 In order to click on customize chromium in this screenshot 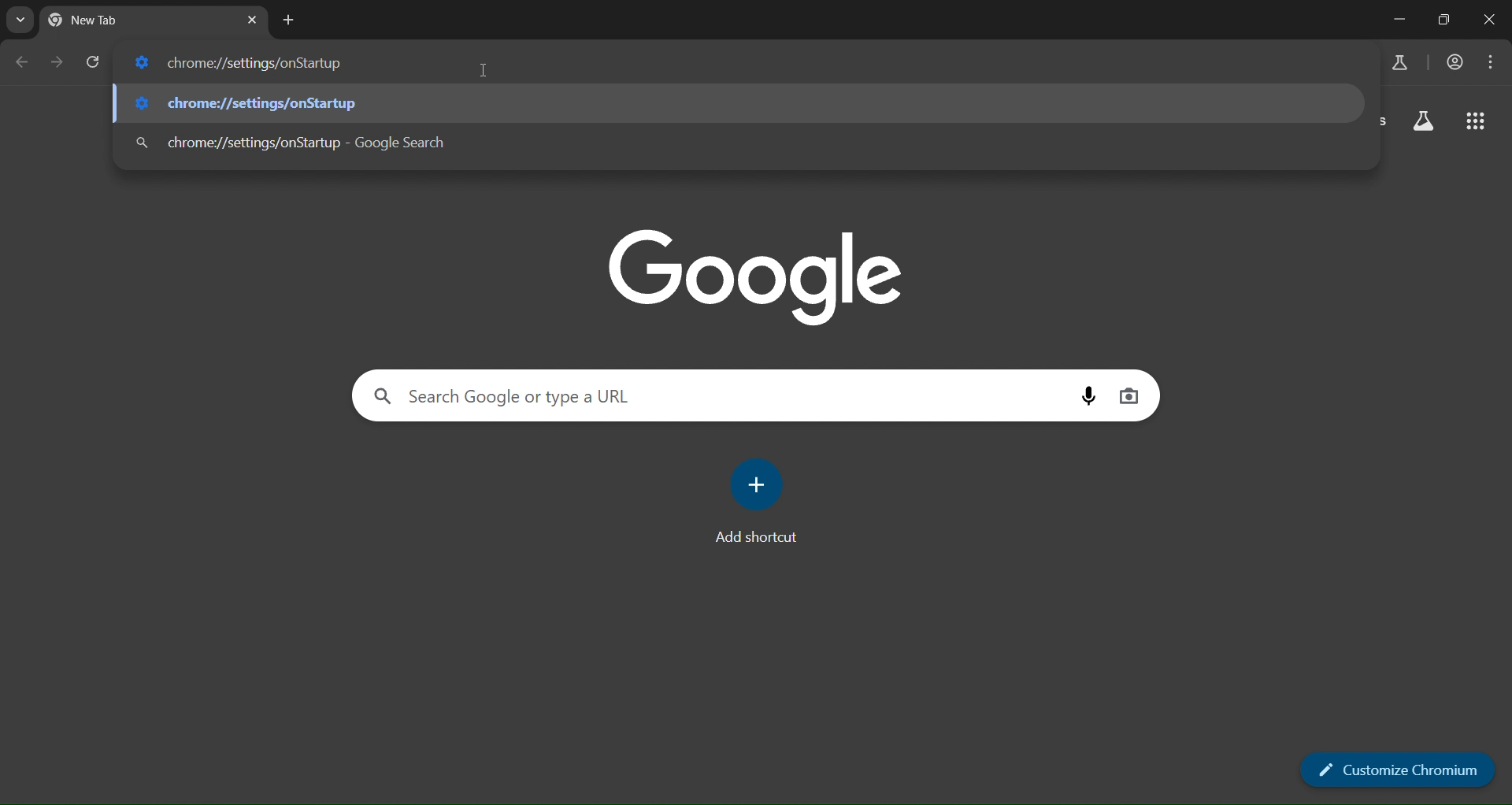, I will do `click(1402, 770)`.